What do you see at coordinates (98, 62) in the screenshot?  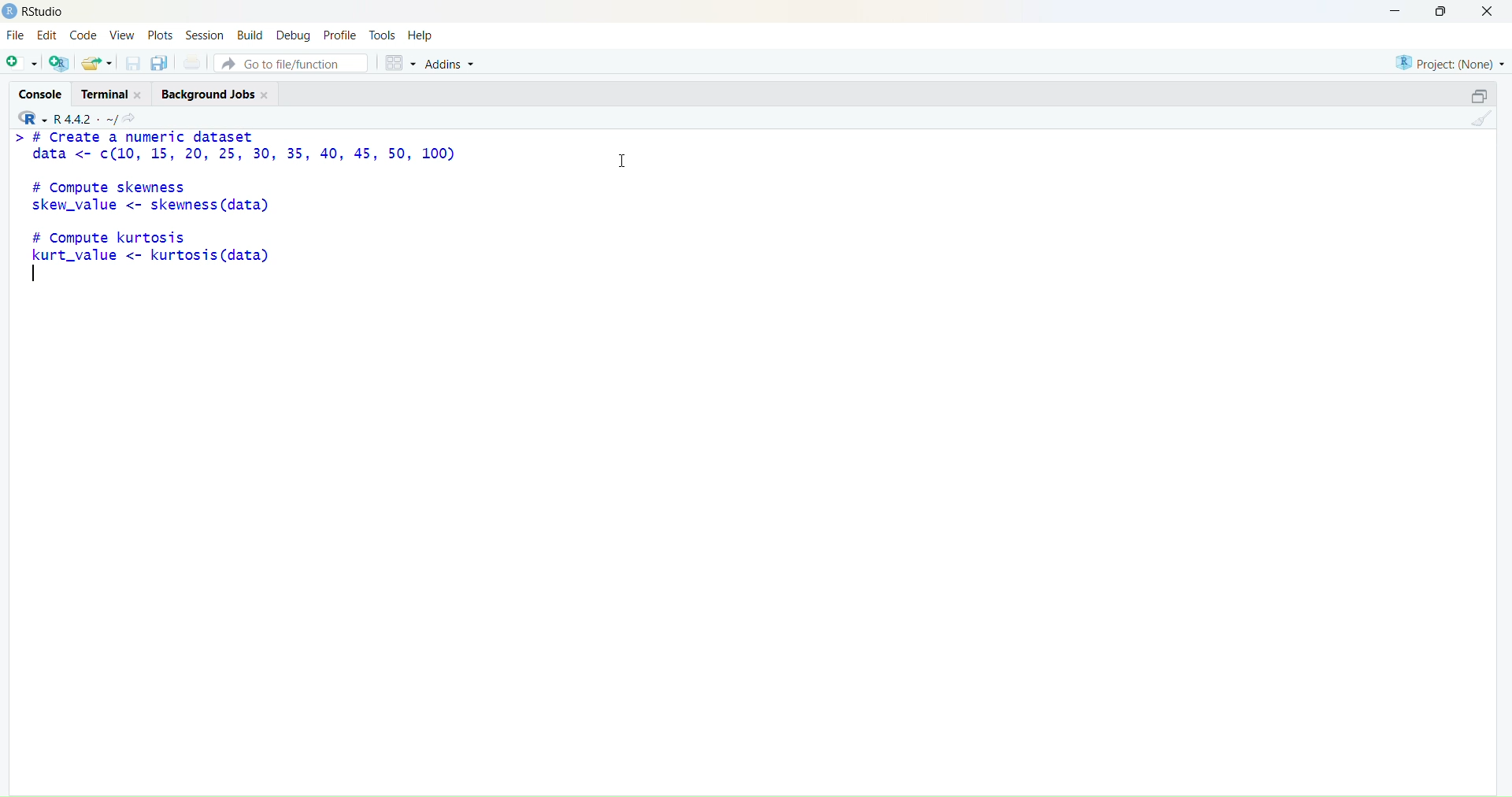 I see `Open an existing file (Ctrl + O)` at bounding box center [98, 62].